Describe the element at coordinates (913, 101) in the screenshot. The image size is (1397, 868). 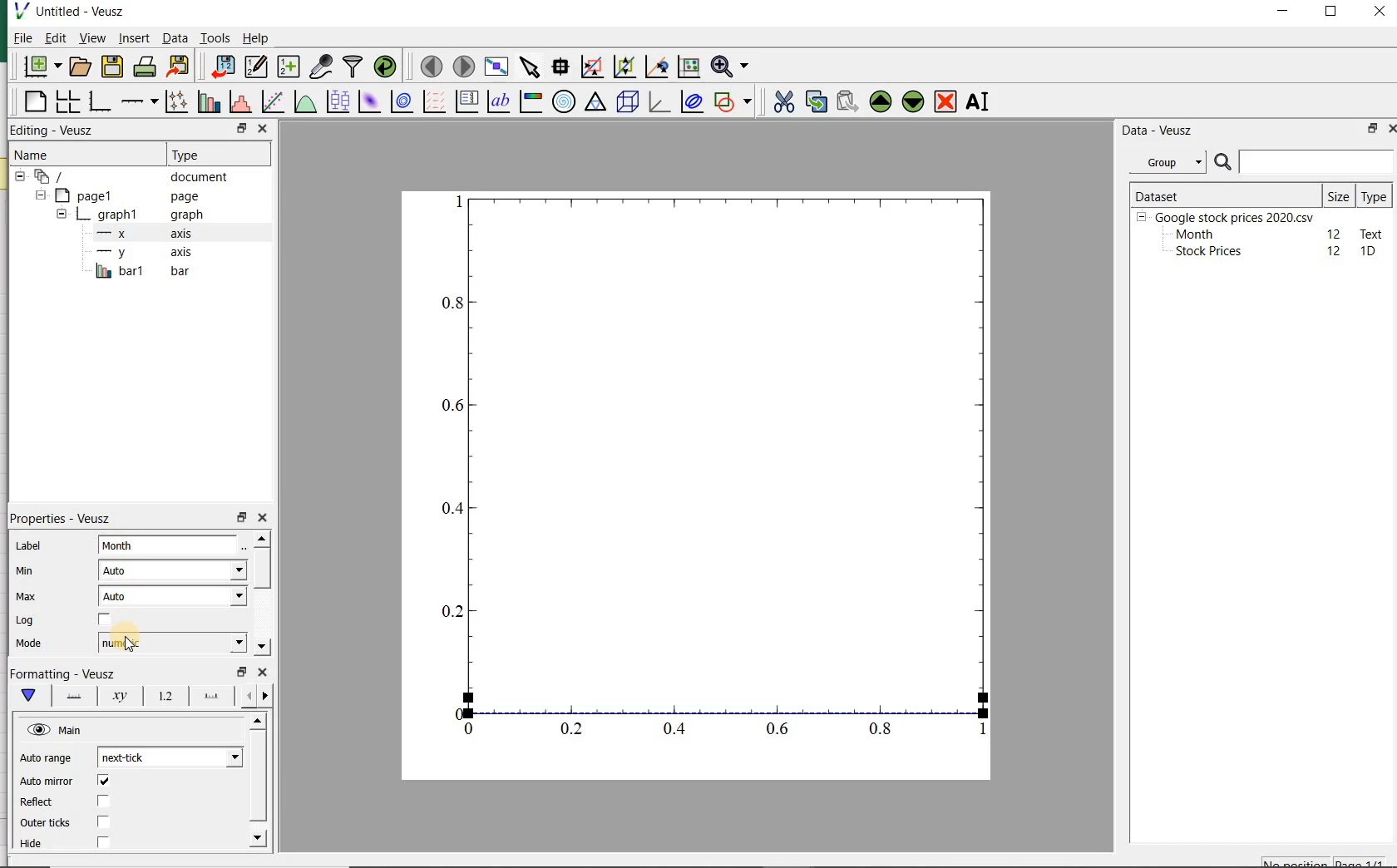
I see `move the selected widget down` at that location.